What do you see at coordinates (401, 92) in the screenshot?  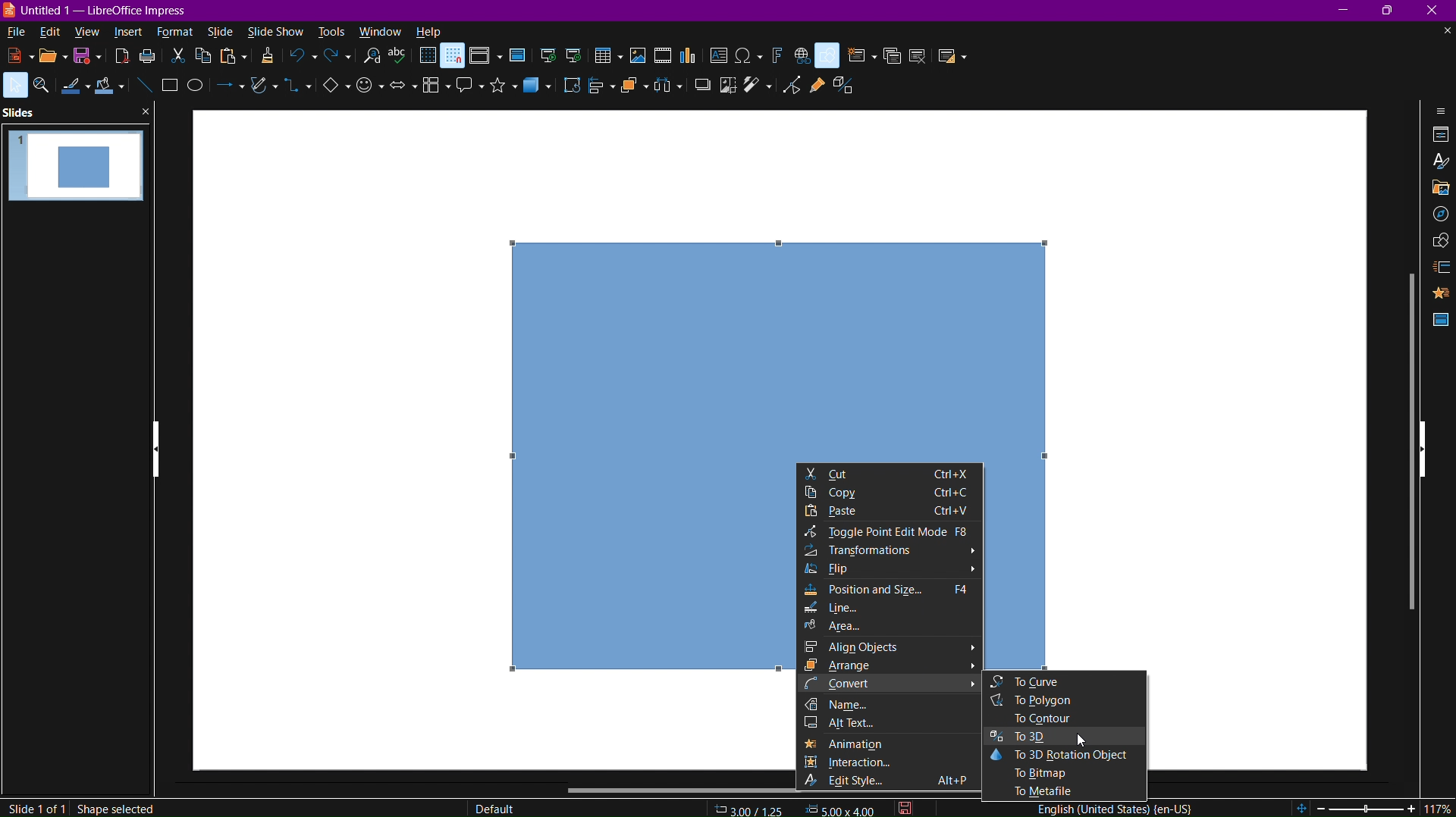 I see `Block Arrows` at bounding box center [401, 92].